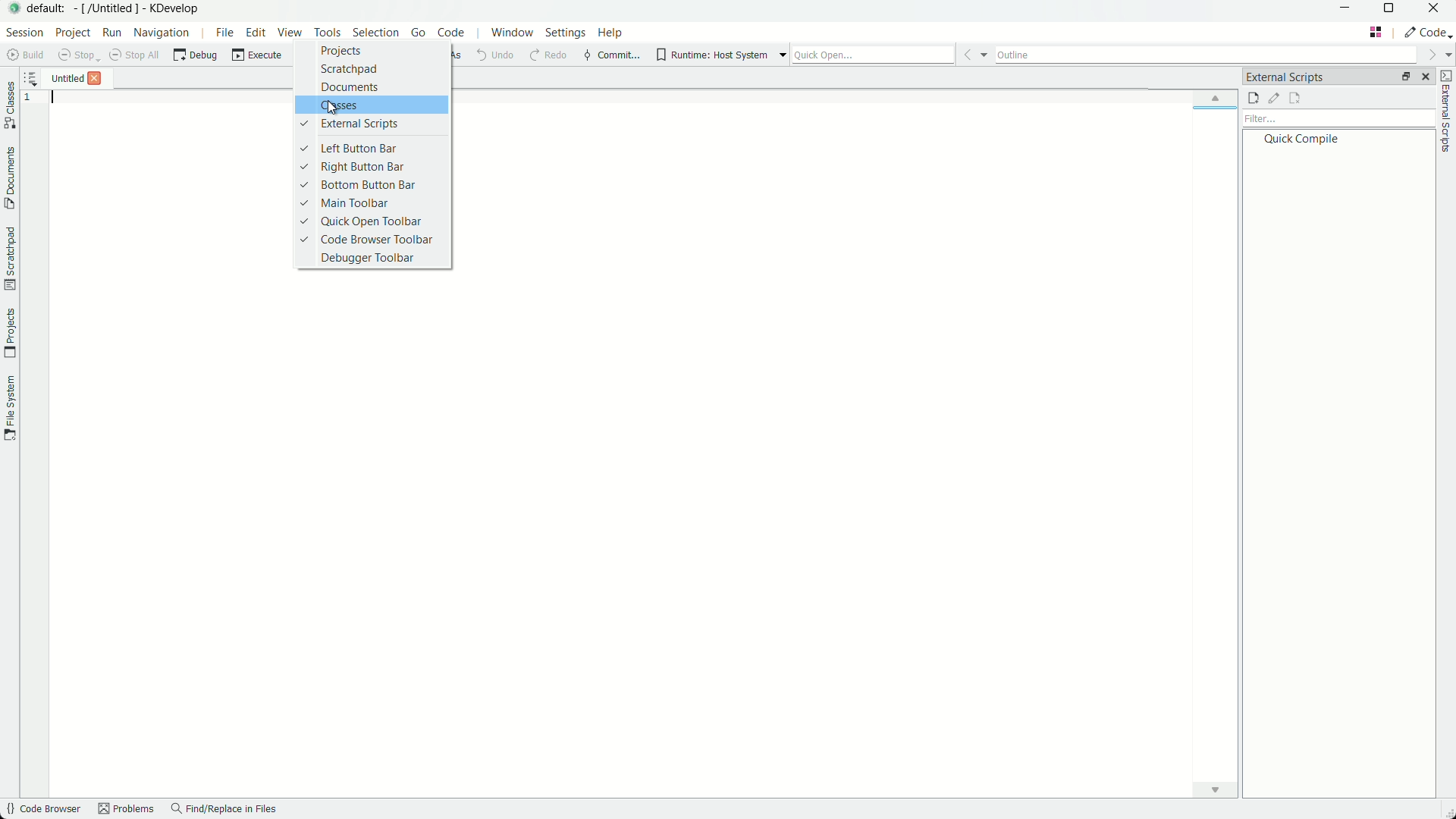 The image size is (1456, 819). What do you see at coordinates (375, 105) in the screenshot?
I see `classes` at bounding box center [375, 105].